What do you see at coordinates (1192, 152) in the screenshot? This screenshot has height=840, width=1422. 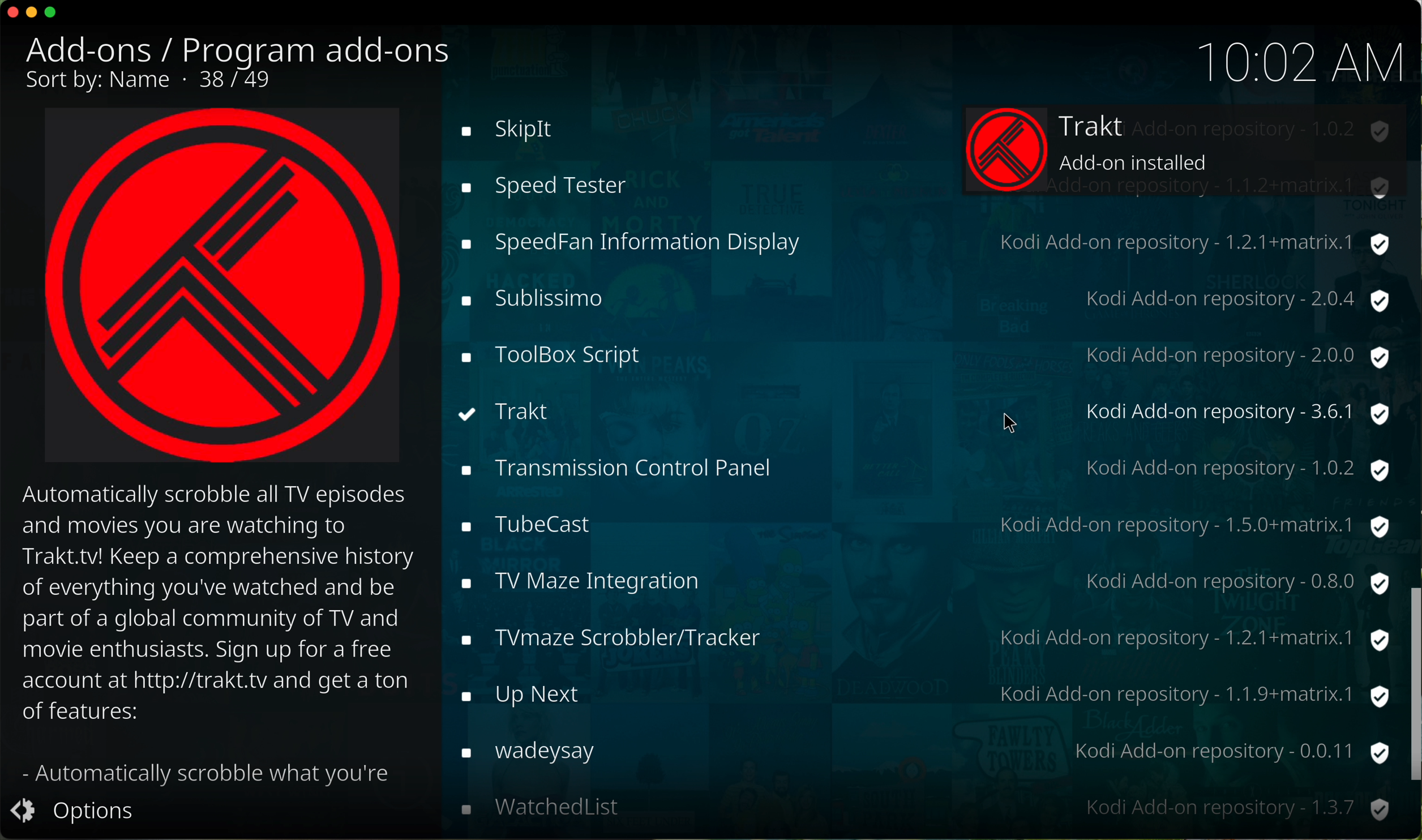 I see `trakt installed` at bounding box center [1192, 152].